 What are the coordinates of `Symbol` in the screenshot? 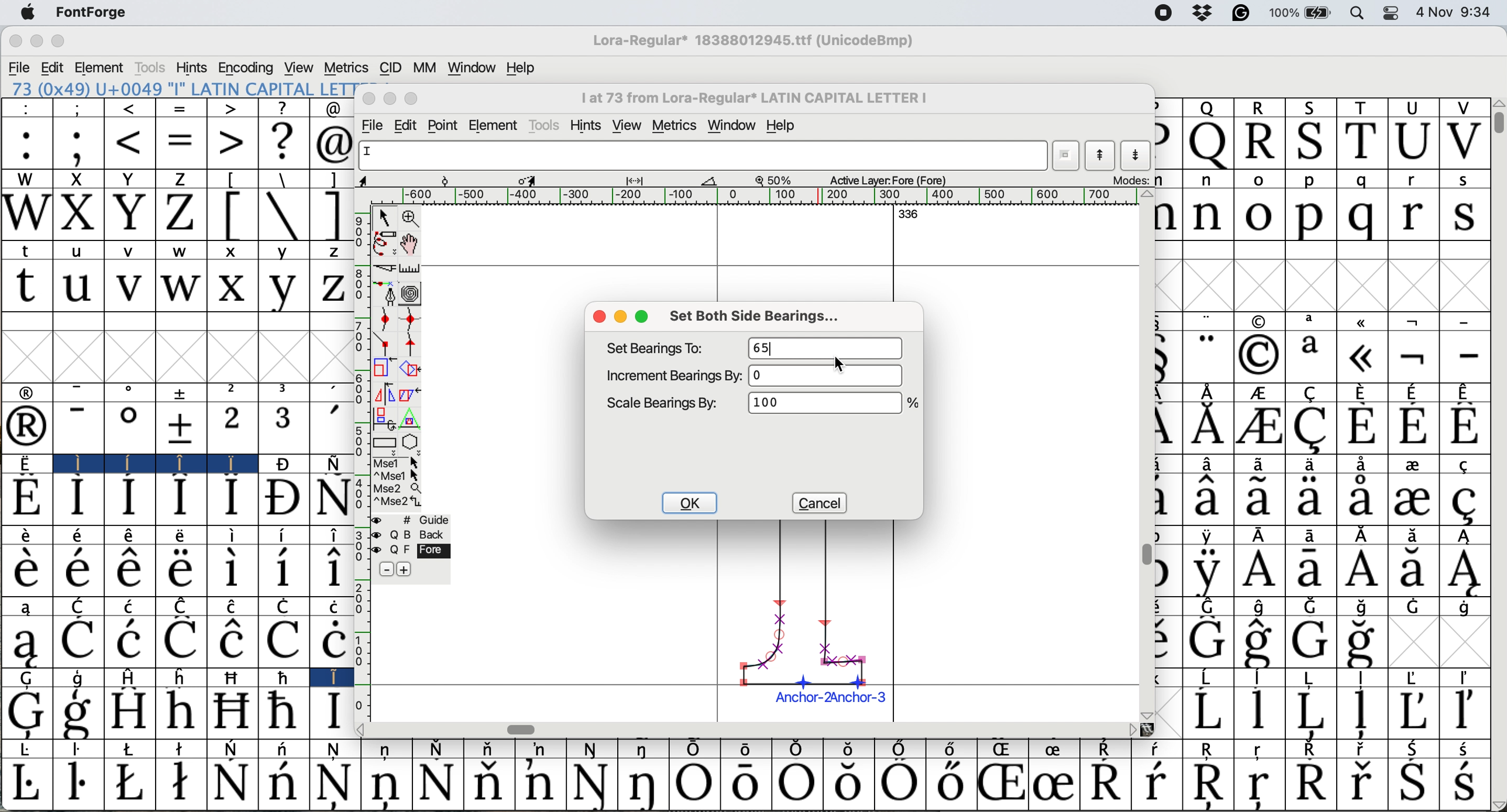 It's located at (1309, 712).